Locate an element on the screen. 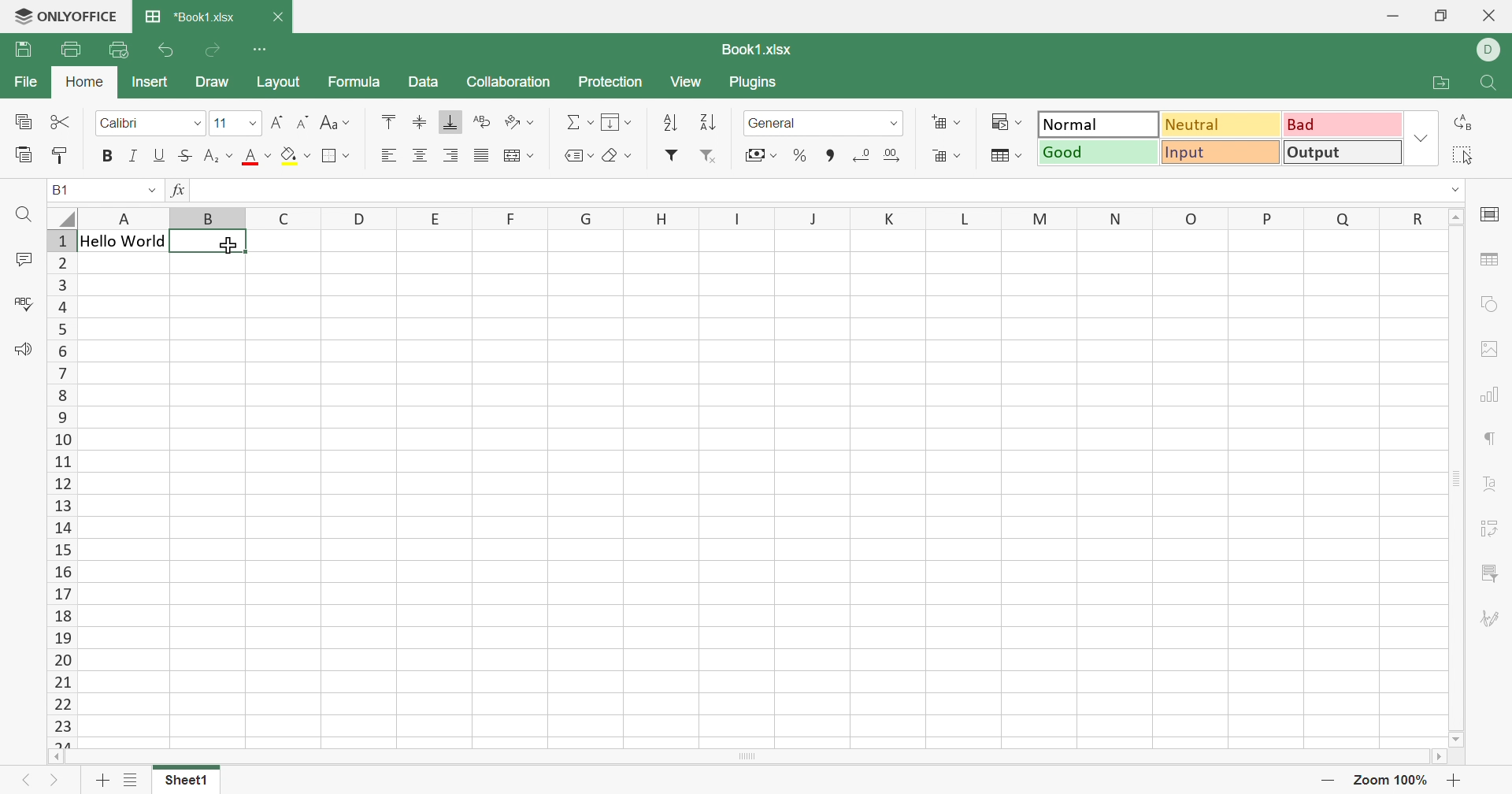 The image size is (1512, 794). Close is located at coordinates (275, 17).